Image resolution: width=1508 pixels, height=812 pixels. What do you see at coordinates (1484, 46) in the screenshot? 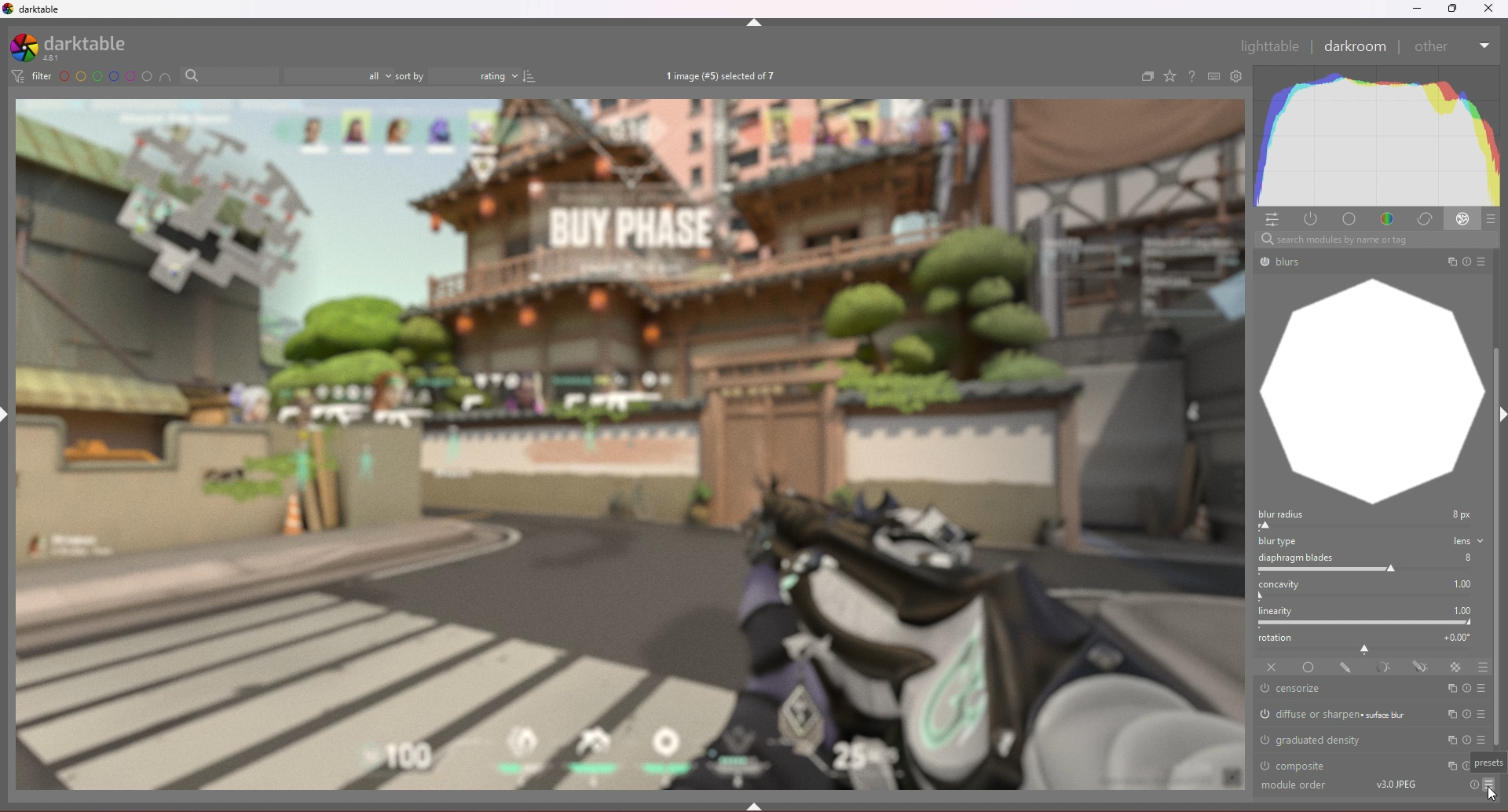
I see `` at bounding box center [1484, 46].